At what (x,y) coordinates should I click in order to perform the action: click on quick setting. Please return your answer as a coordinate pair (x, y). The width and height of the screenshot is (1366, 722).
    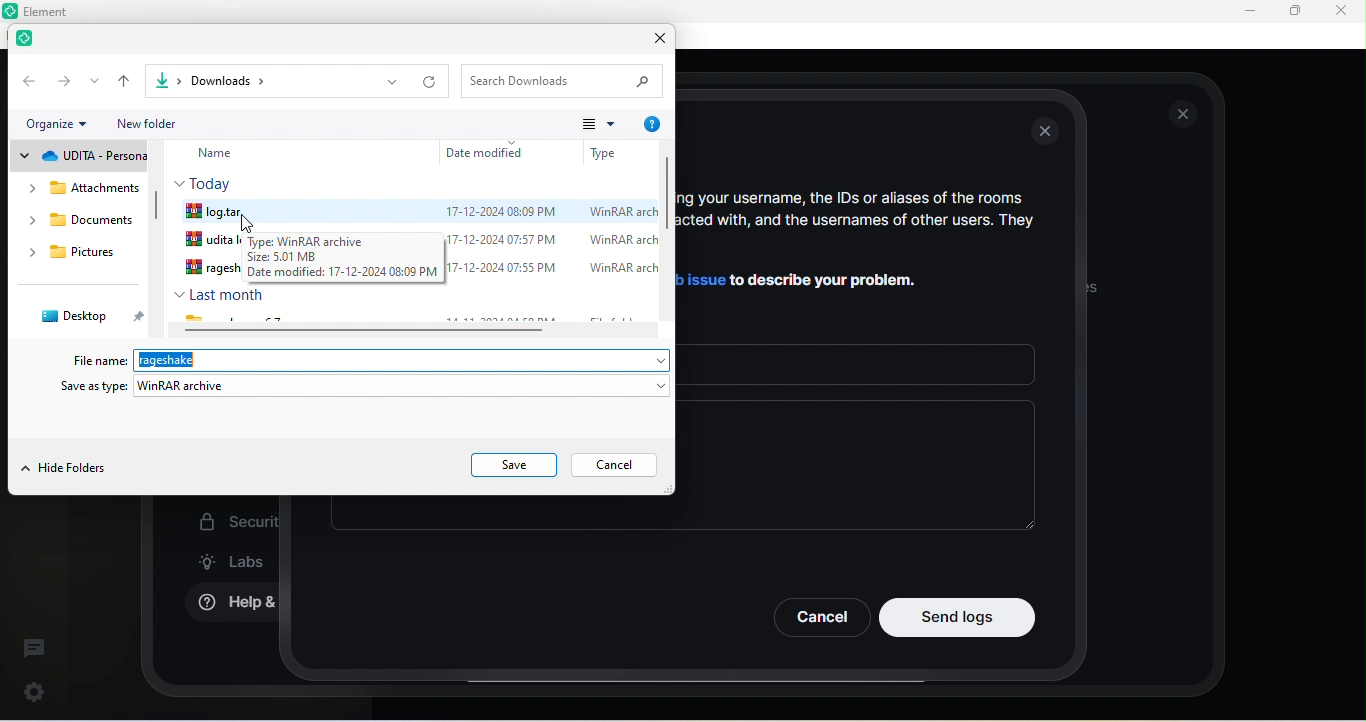
    Looking at the image, I should click on (35, 688).